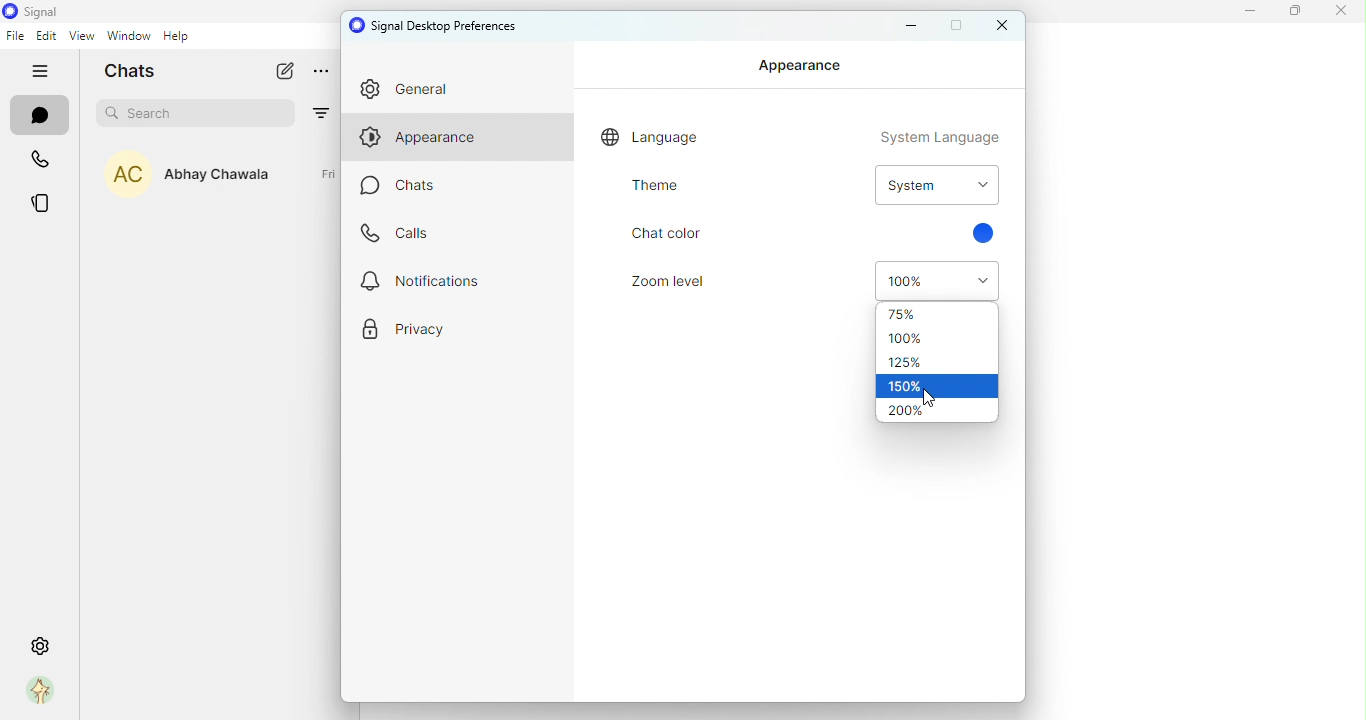 The image size is (1366, 720). I want to click on icon, so click(38, 12).